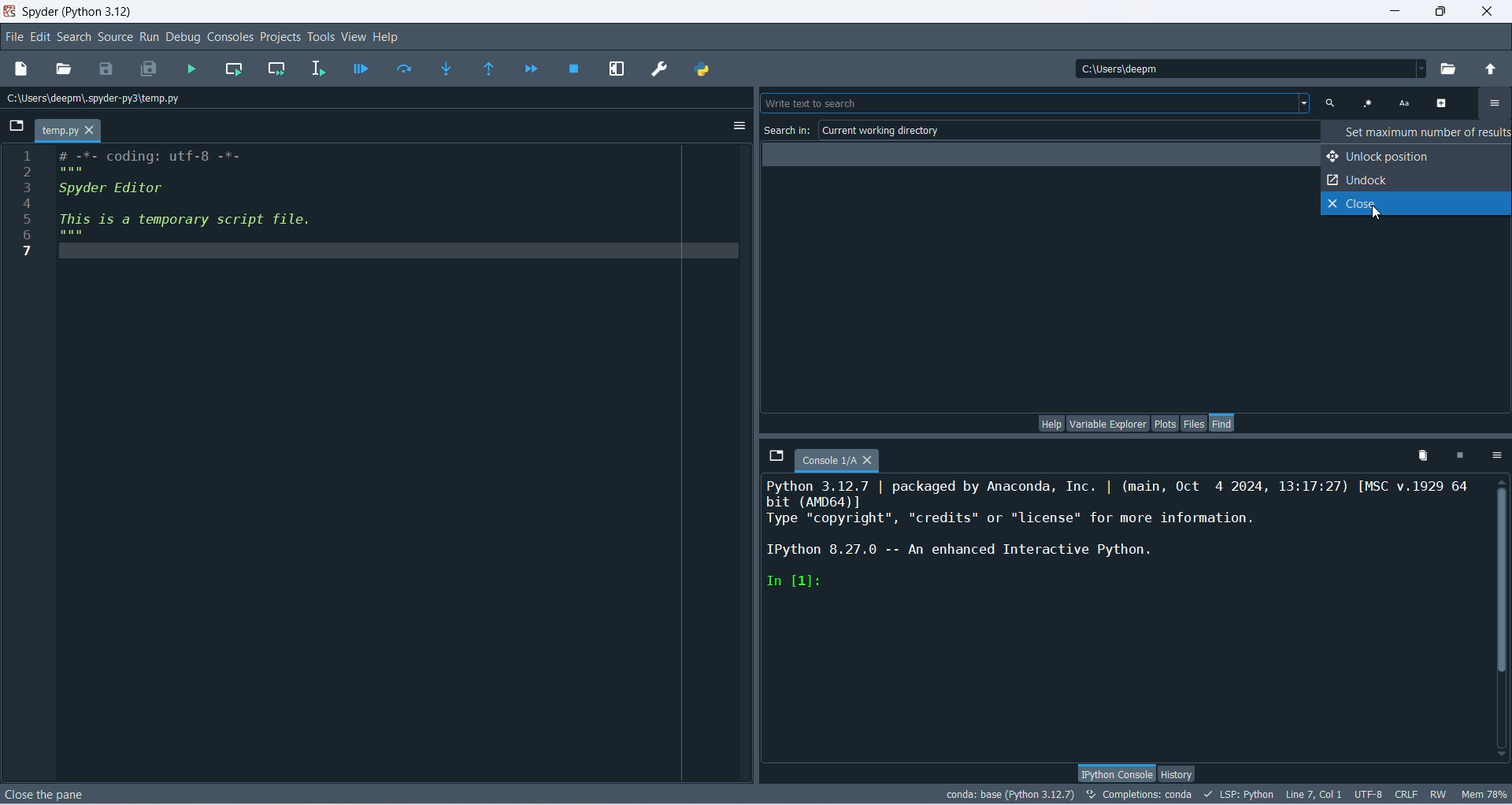 The height and width of the screenshot is (805, 1512). I want to click on use regular expression, so click(1366, 103).